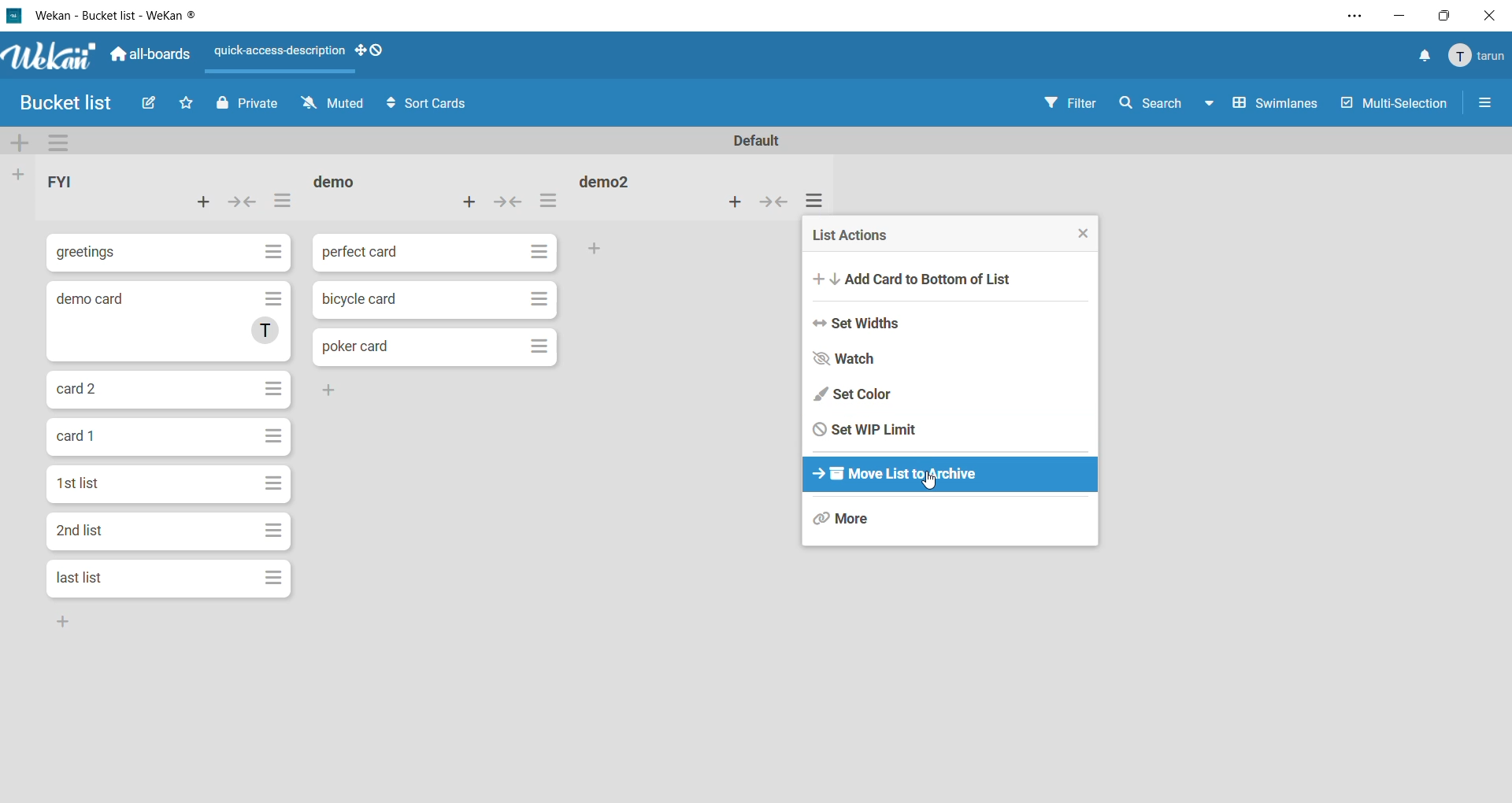  Describe the element at coordinates (173, 388) in the screenshot. I see `cards` at that location.